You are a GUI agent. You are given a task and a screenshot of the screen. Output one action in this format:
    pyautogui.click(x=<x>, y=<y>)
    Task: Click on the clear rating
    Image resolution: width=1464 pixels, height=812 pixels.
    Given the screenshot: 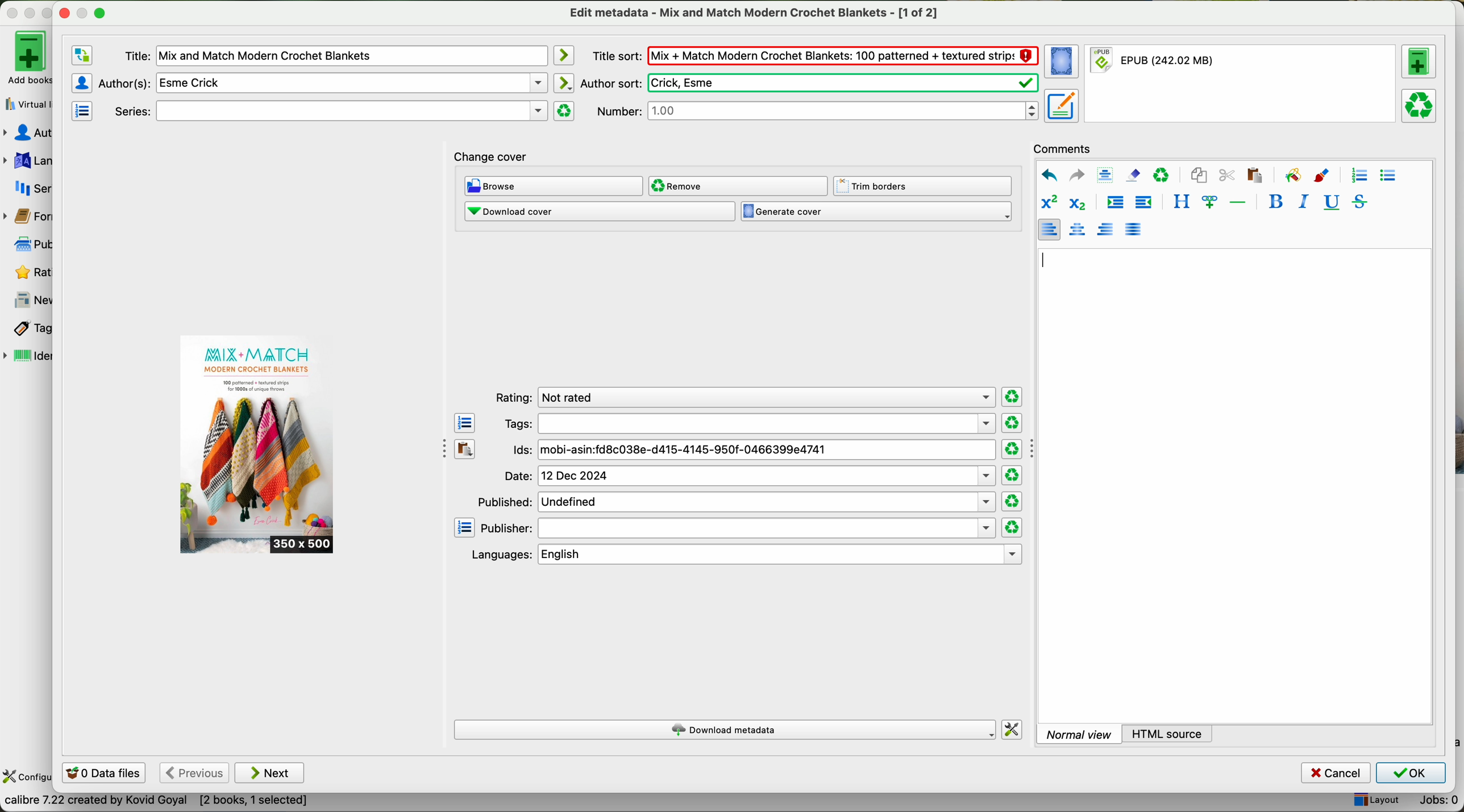 What is the action you would take?
    pyautogui.click(x=1013, y=397)
    